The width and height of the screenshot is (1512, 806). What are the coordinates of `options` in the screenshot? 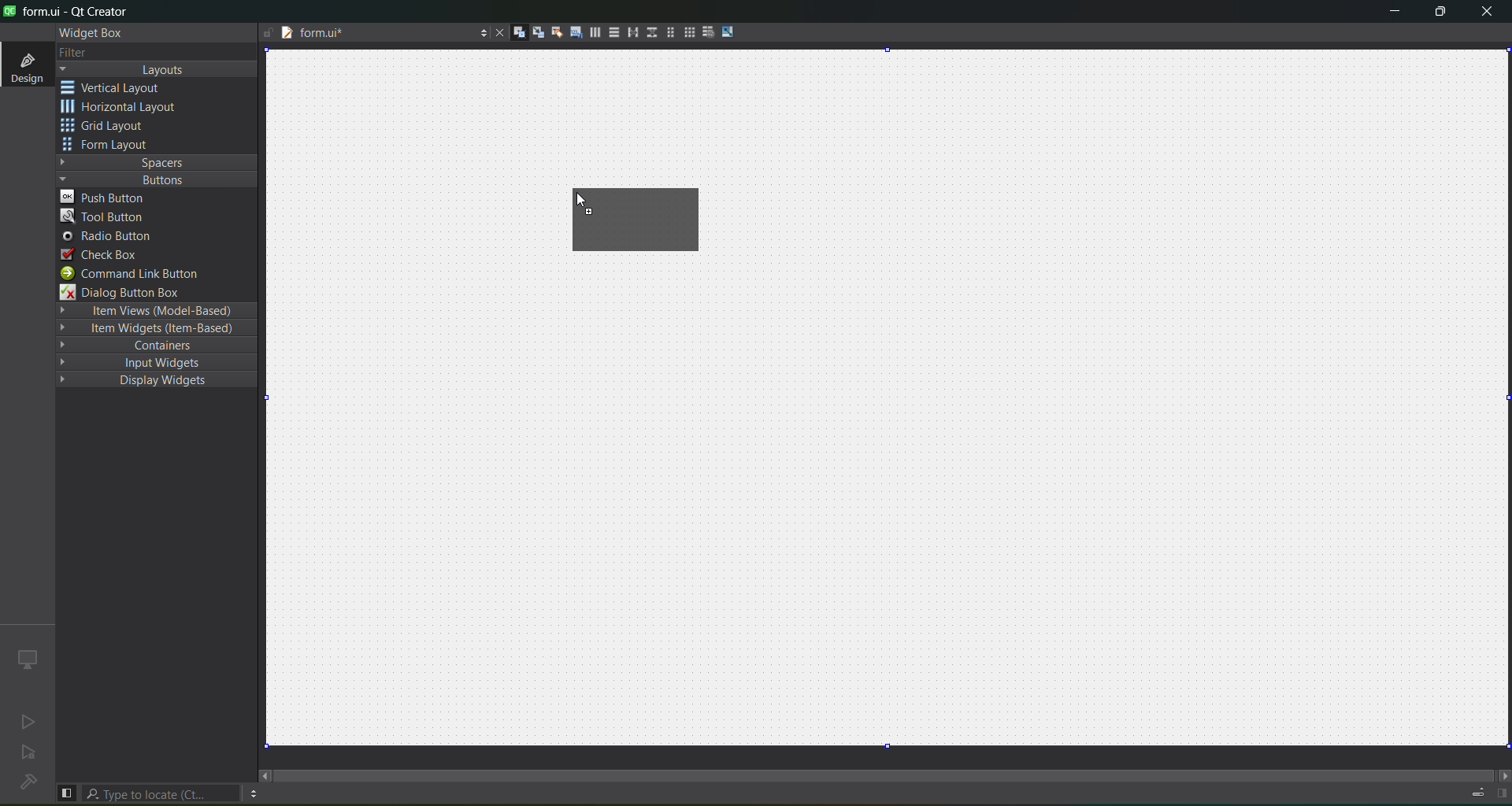 It's located at (253, 793).